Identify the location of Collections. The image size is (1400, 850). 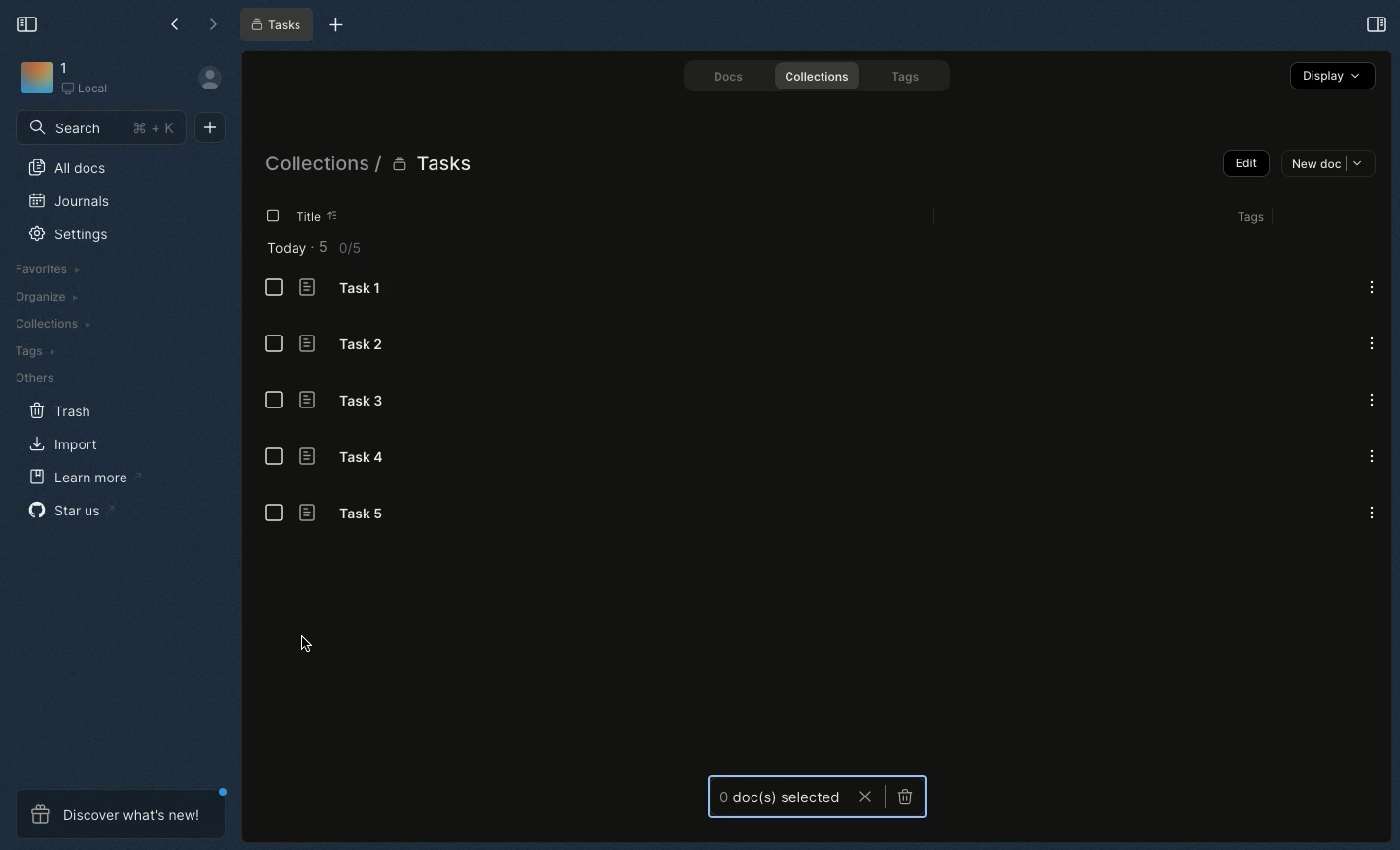
(55, 325).